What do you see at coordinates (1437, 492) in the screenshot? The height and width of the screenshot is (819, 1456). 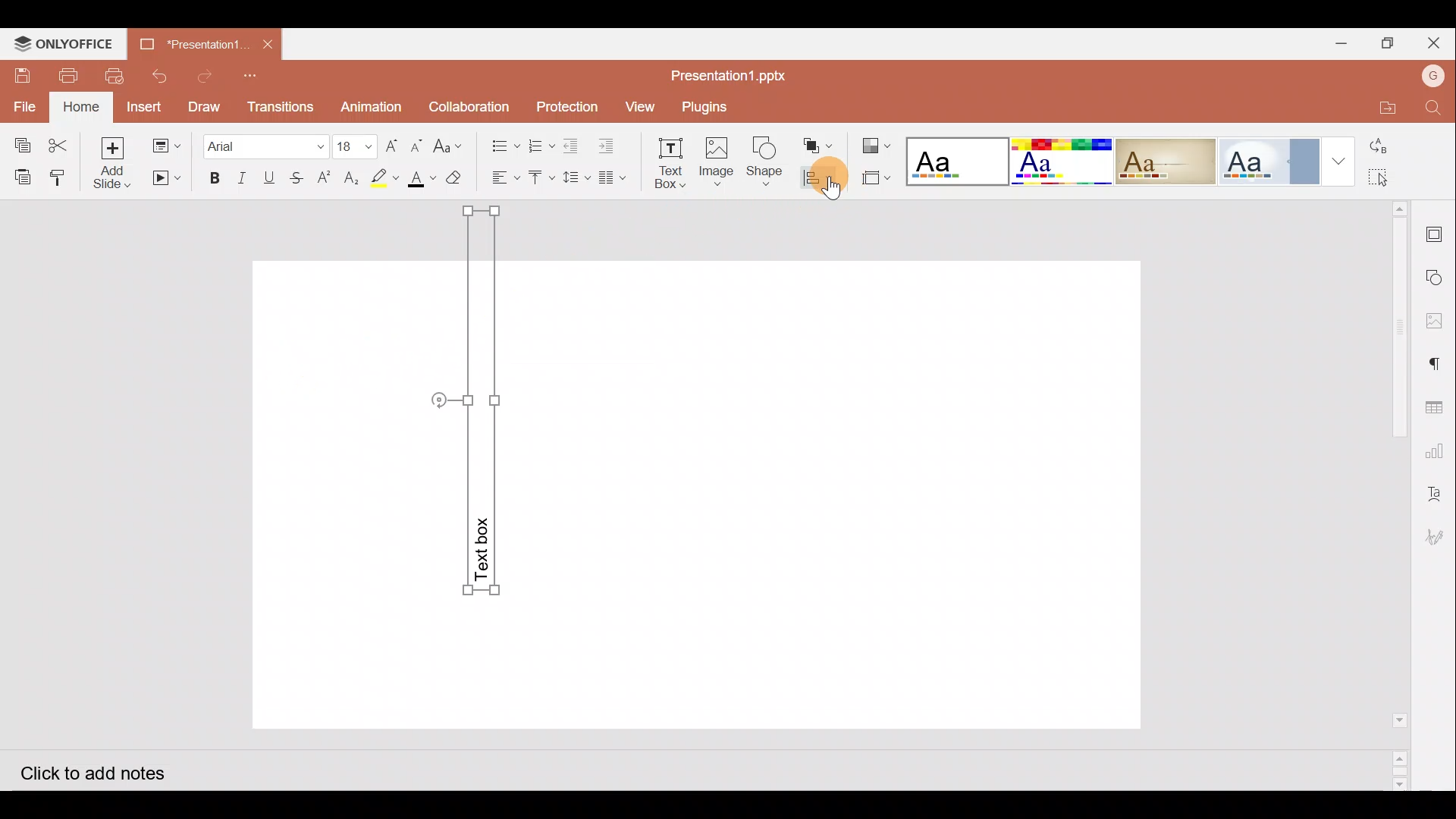 I see `Text Art settings` at bounding box center [1437, 492].